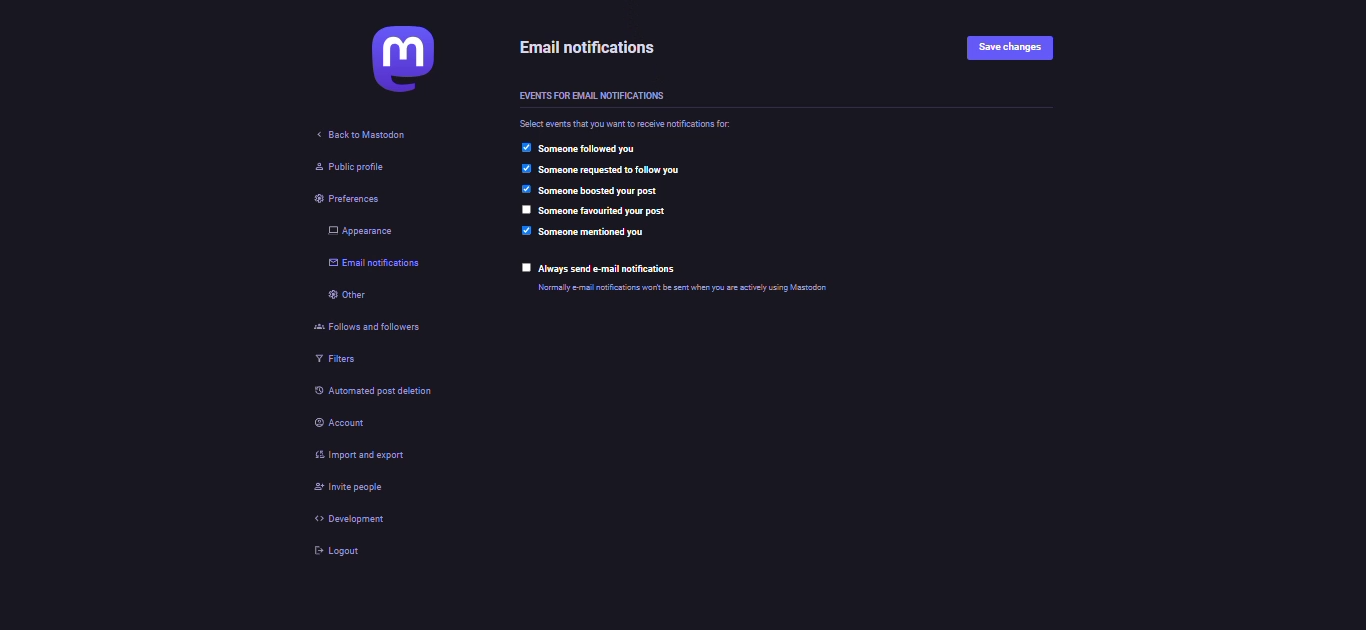  What do you see at coordinates (591, 93) in the screenshot?
I see `events` at bounding box center [591, 93].